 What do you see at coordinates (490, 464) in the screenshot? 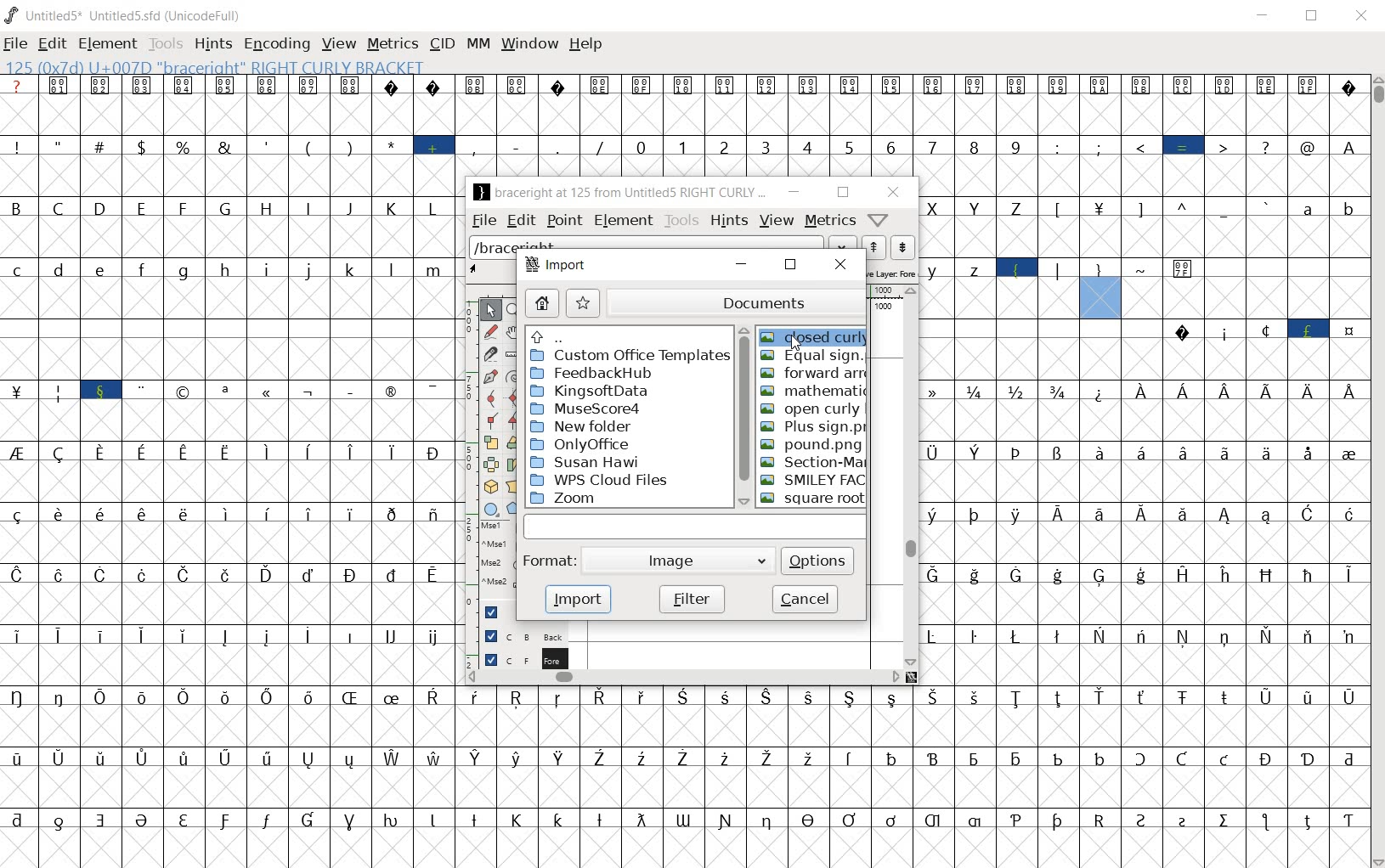
I see `flip the selection` at bounding box center [490, 464].